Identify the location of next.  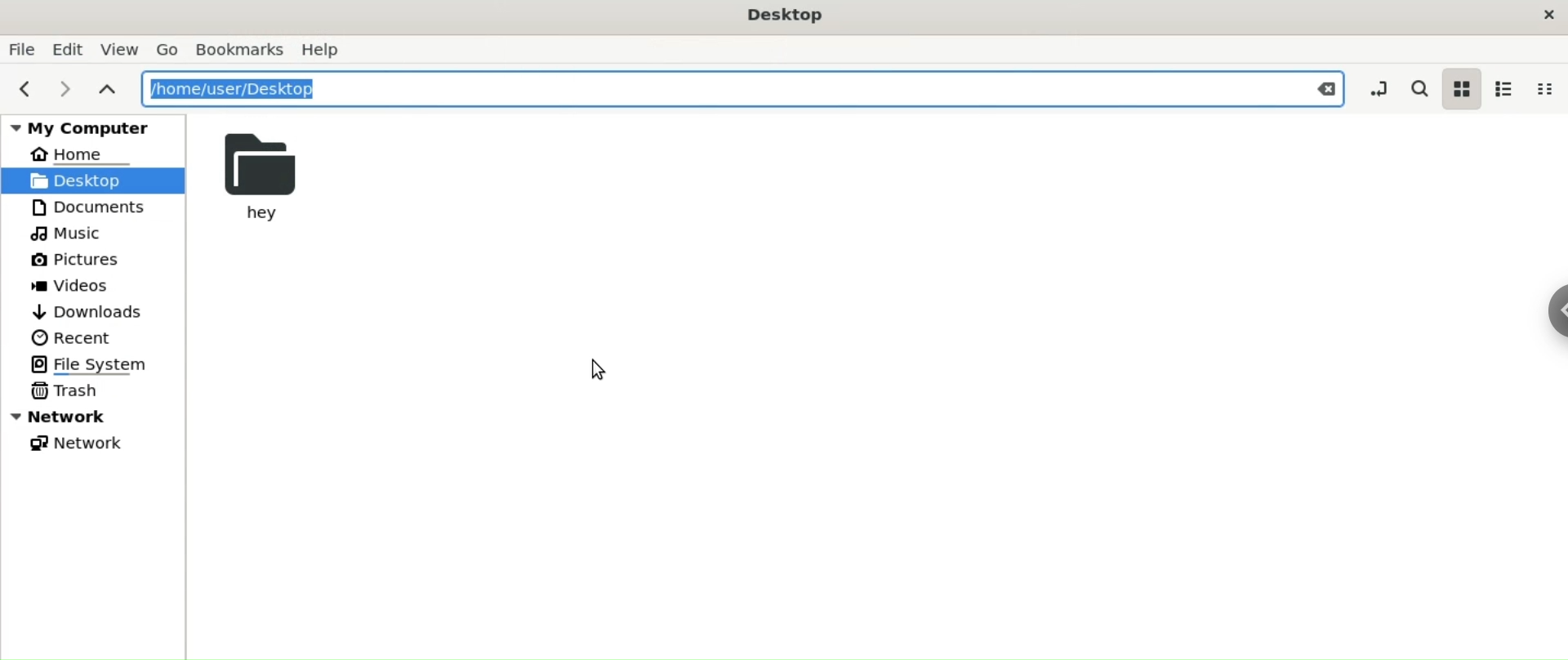
(64, 89).